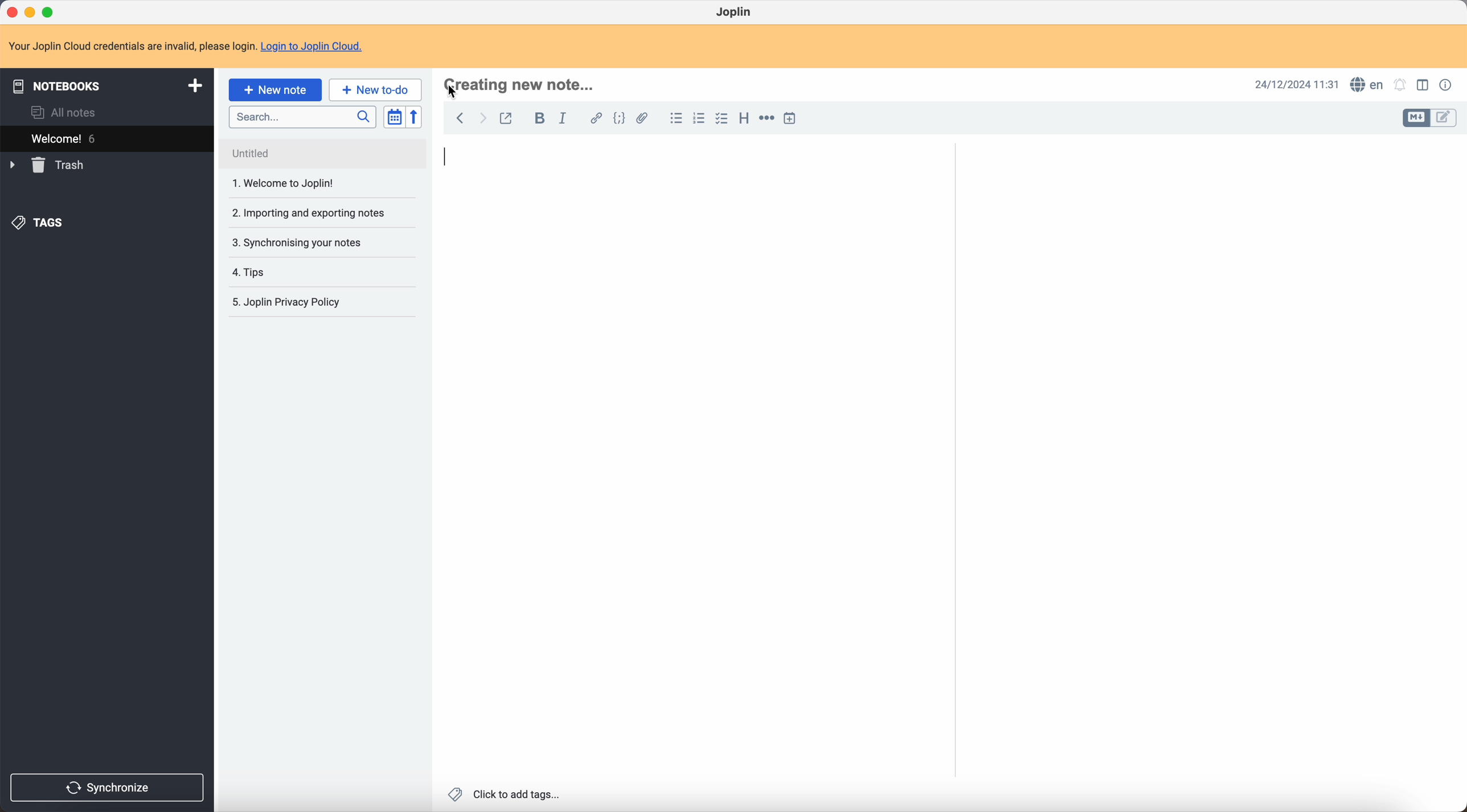  I want to click on code, so click(619, 119).